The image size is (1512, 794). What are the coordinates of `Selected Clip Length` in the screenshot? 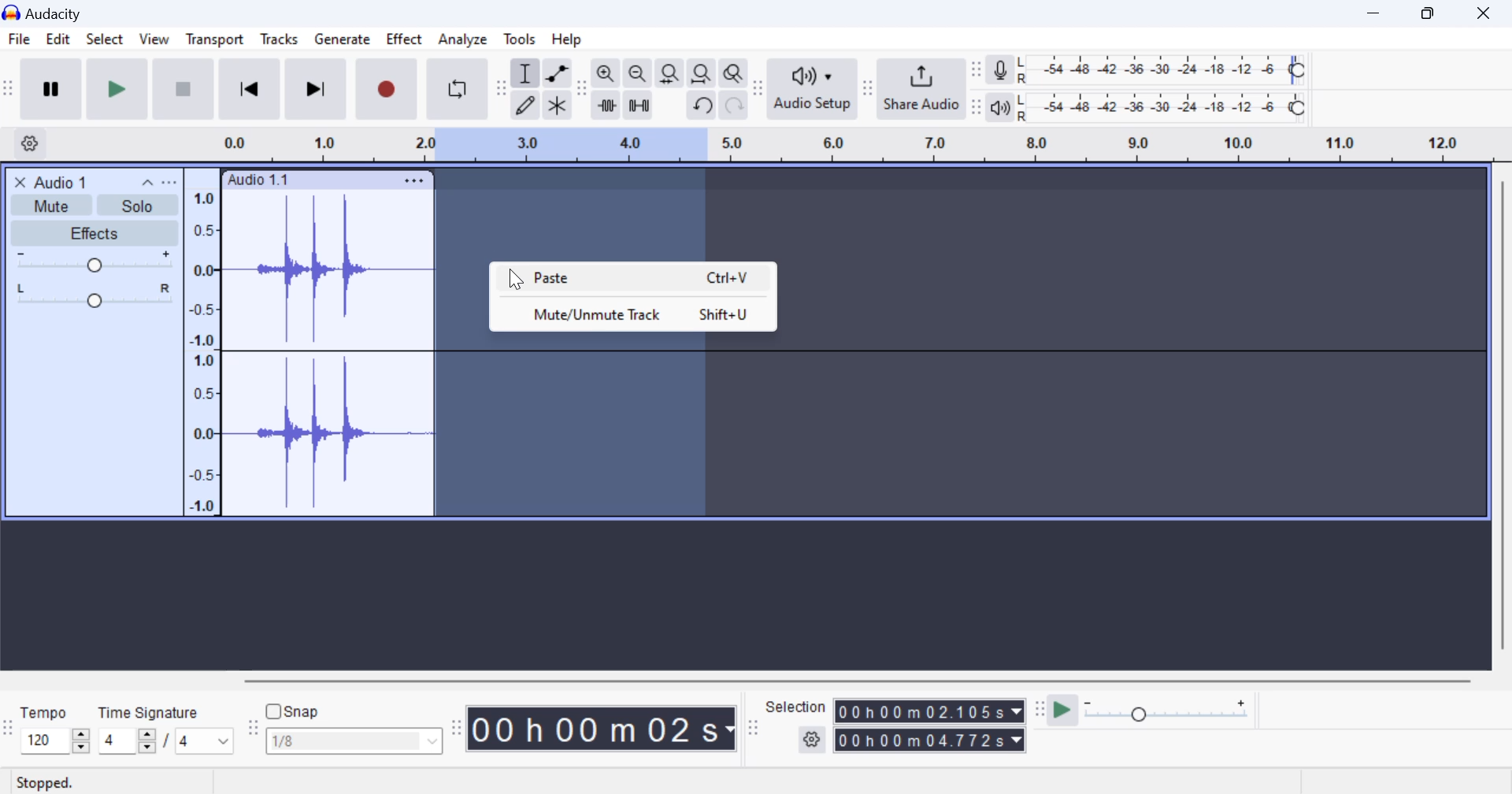 It's located at (932, 728).